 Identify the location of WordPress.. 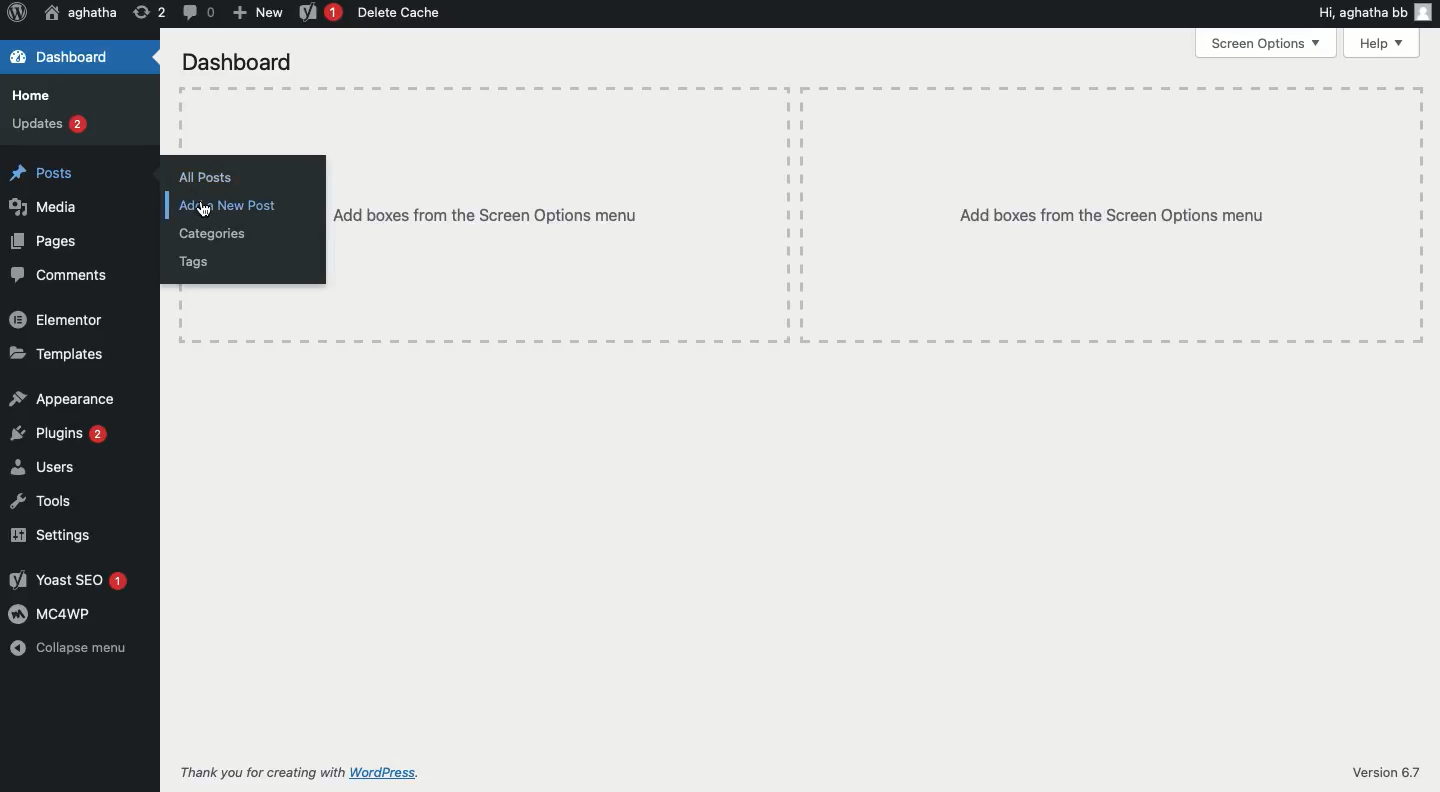
(386, 775).